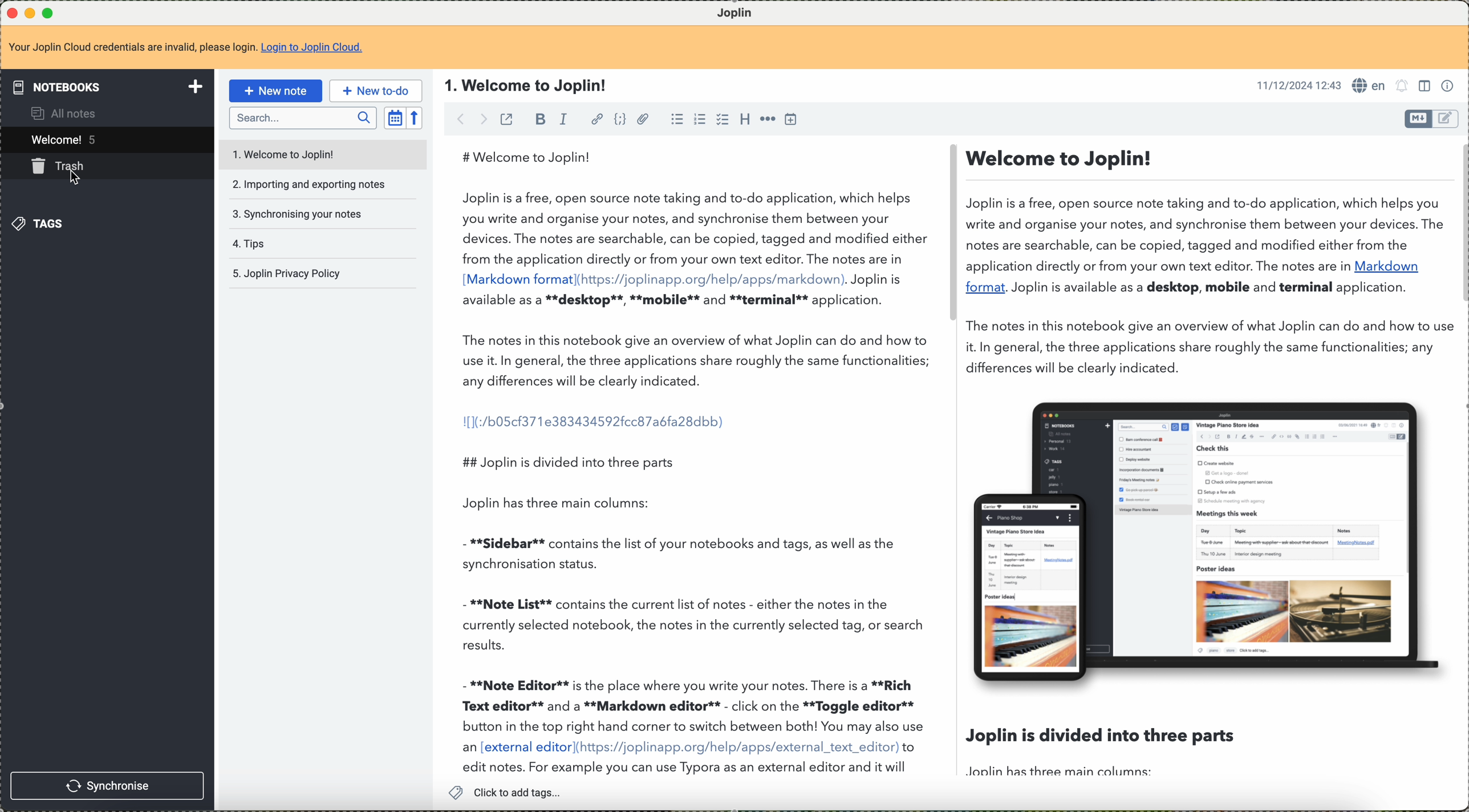  Describe the element at coordinates (107, 787) in the screenshot. I see `synchronise` at that location.